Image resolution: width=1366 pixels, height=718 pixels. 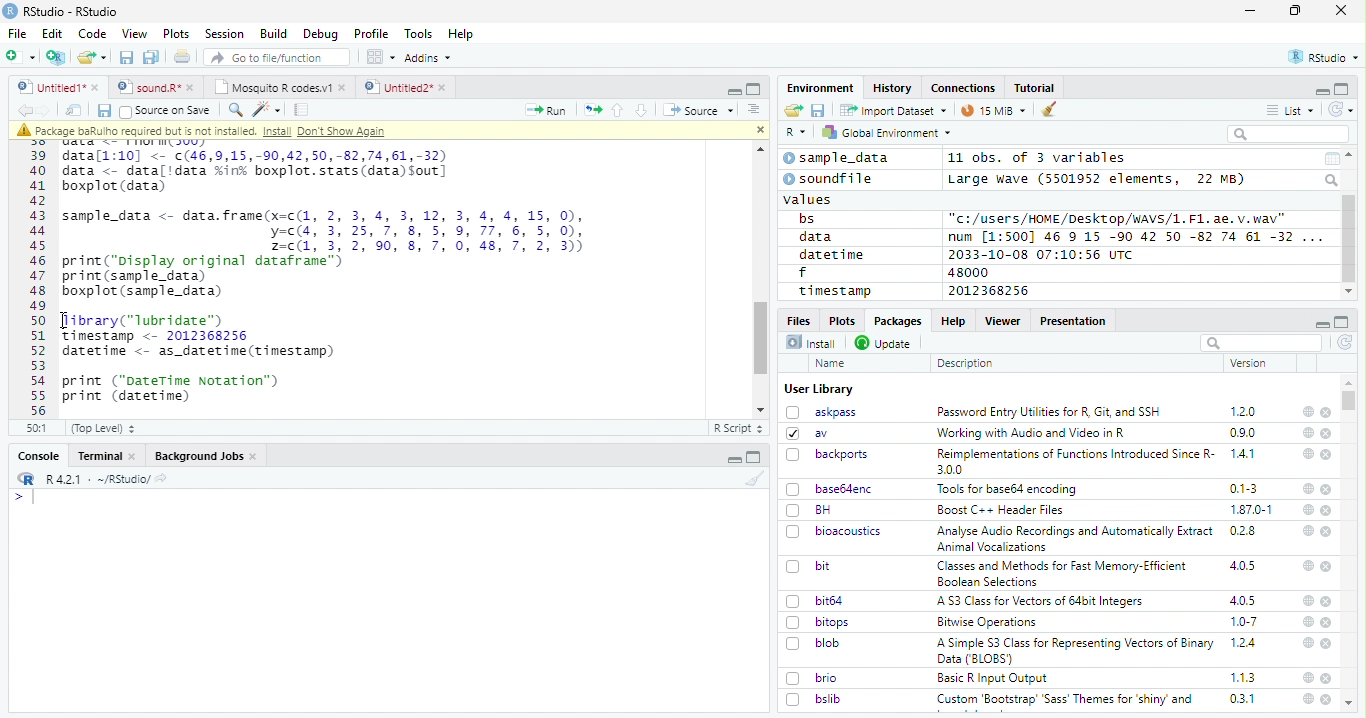 What do you see at coordinates (811, 510) in the screenshot?
I see `BH` at bounding box center [811, 510].